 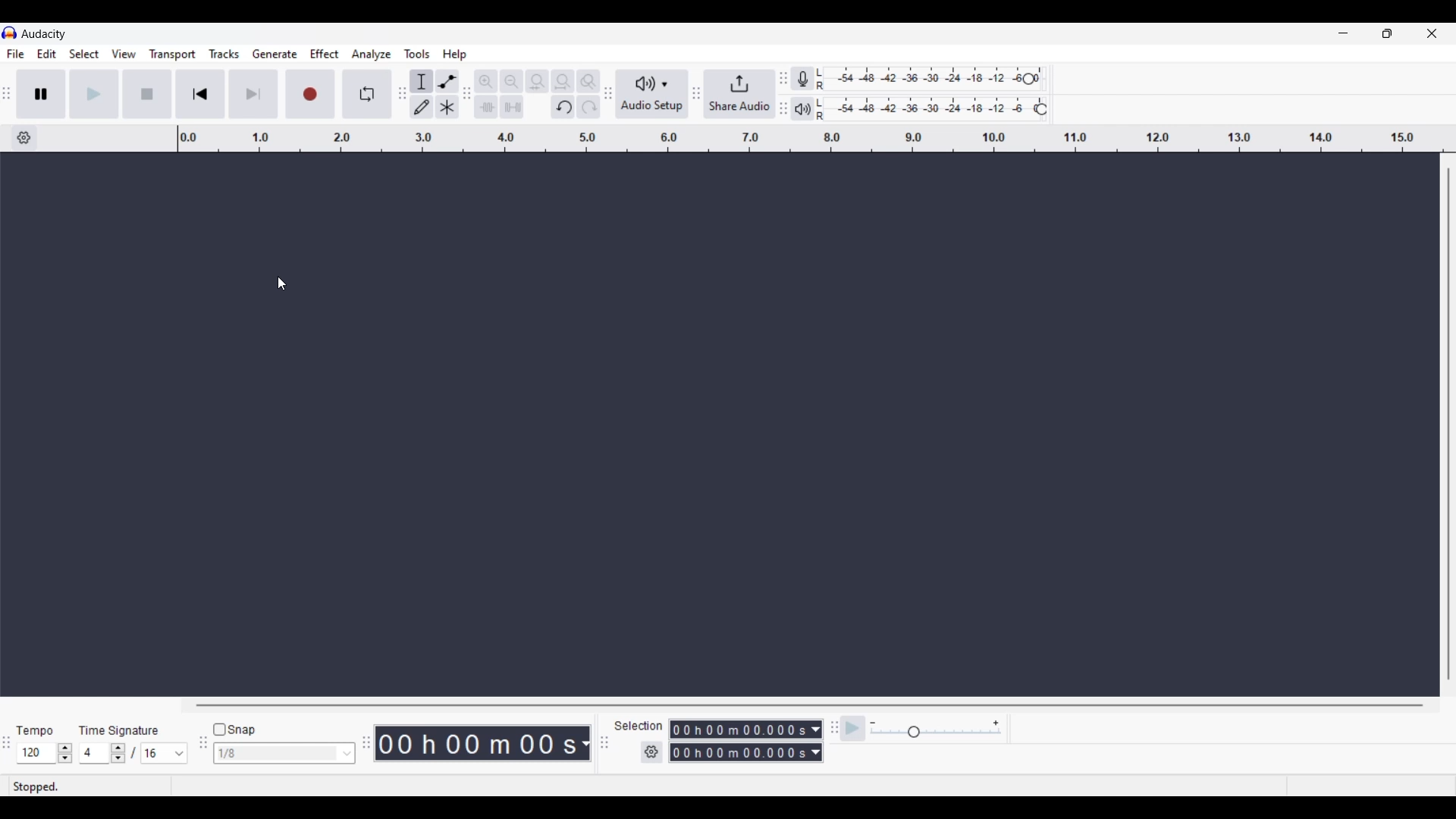 I want to click on Increase/Decrease tempo, so click(x=65, y=753).